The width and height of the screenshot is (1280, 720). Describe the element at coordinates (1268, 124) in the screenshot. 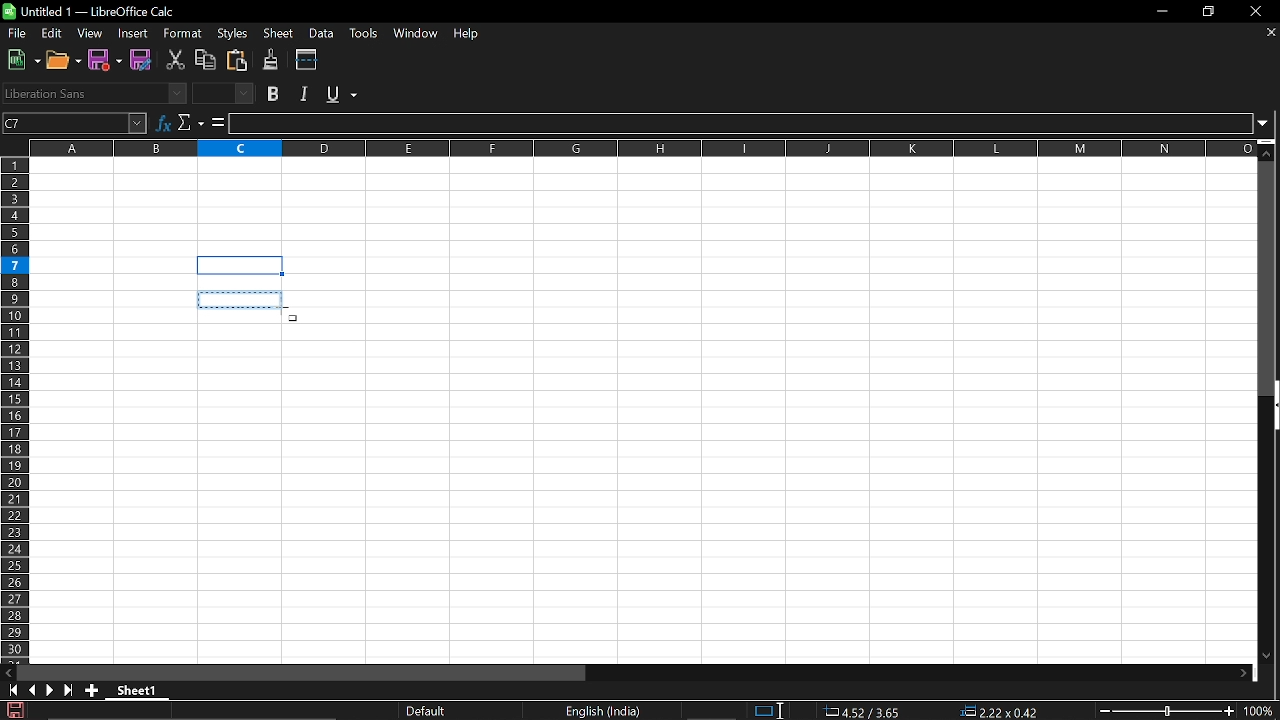

I see `Expand formula bar` at that location.